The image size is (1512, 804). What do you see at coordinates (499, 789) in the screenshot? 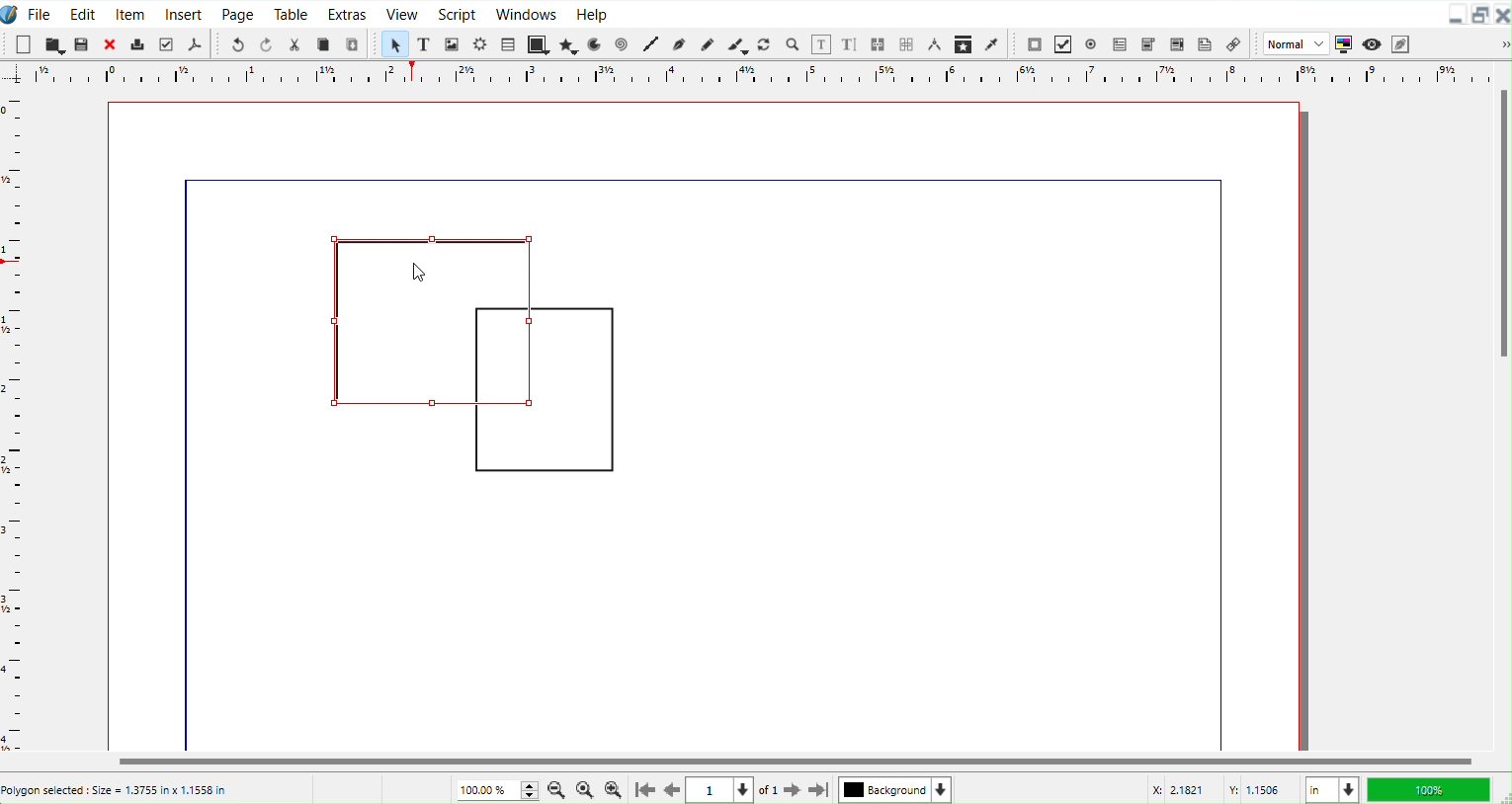
I see `Current Zoom level` at bounding box center [499, 789].